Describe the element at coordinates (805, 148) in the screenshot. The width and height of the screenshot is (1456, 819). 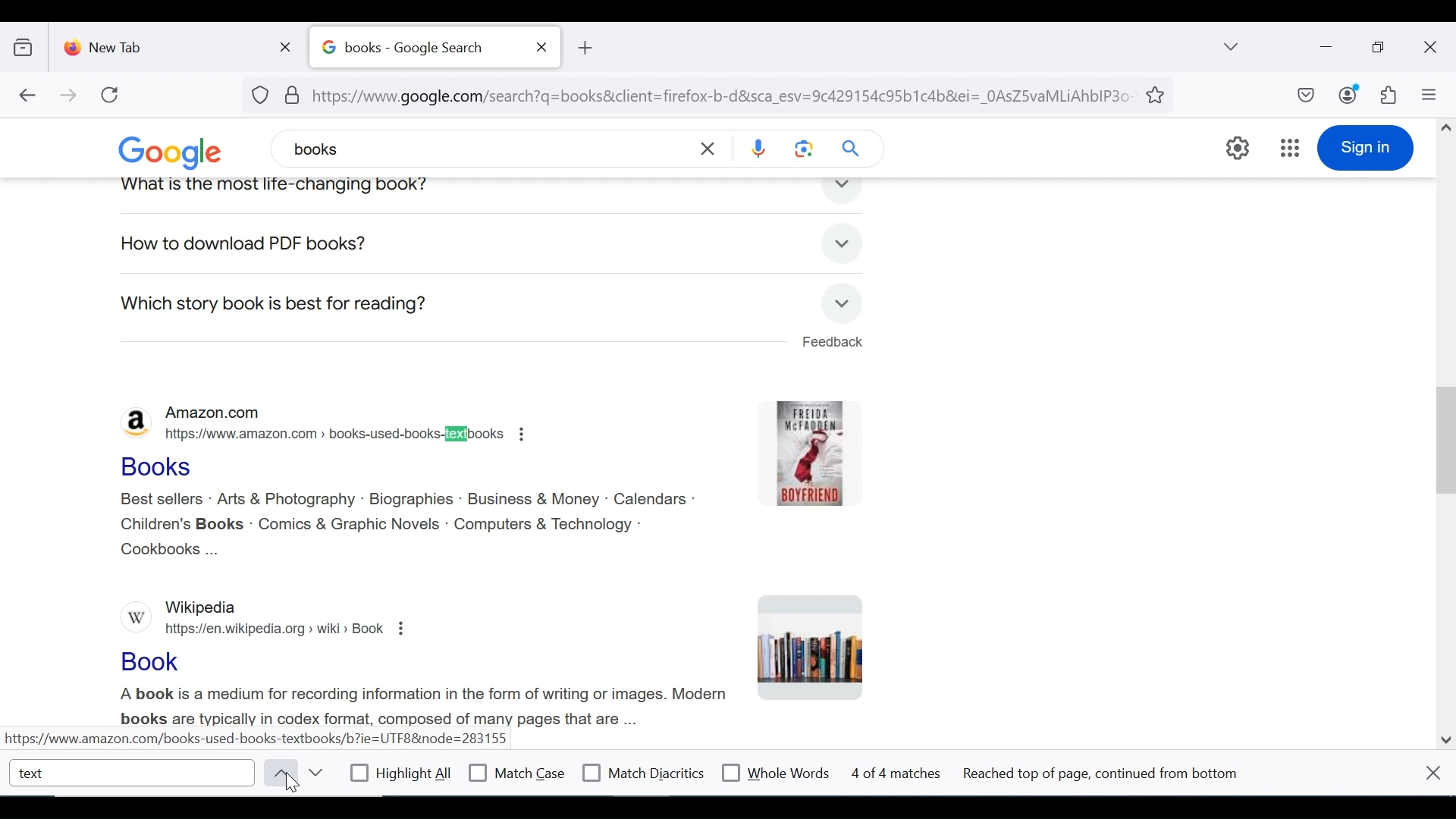
I see `google lens` at that location.